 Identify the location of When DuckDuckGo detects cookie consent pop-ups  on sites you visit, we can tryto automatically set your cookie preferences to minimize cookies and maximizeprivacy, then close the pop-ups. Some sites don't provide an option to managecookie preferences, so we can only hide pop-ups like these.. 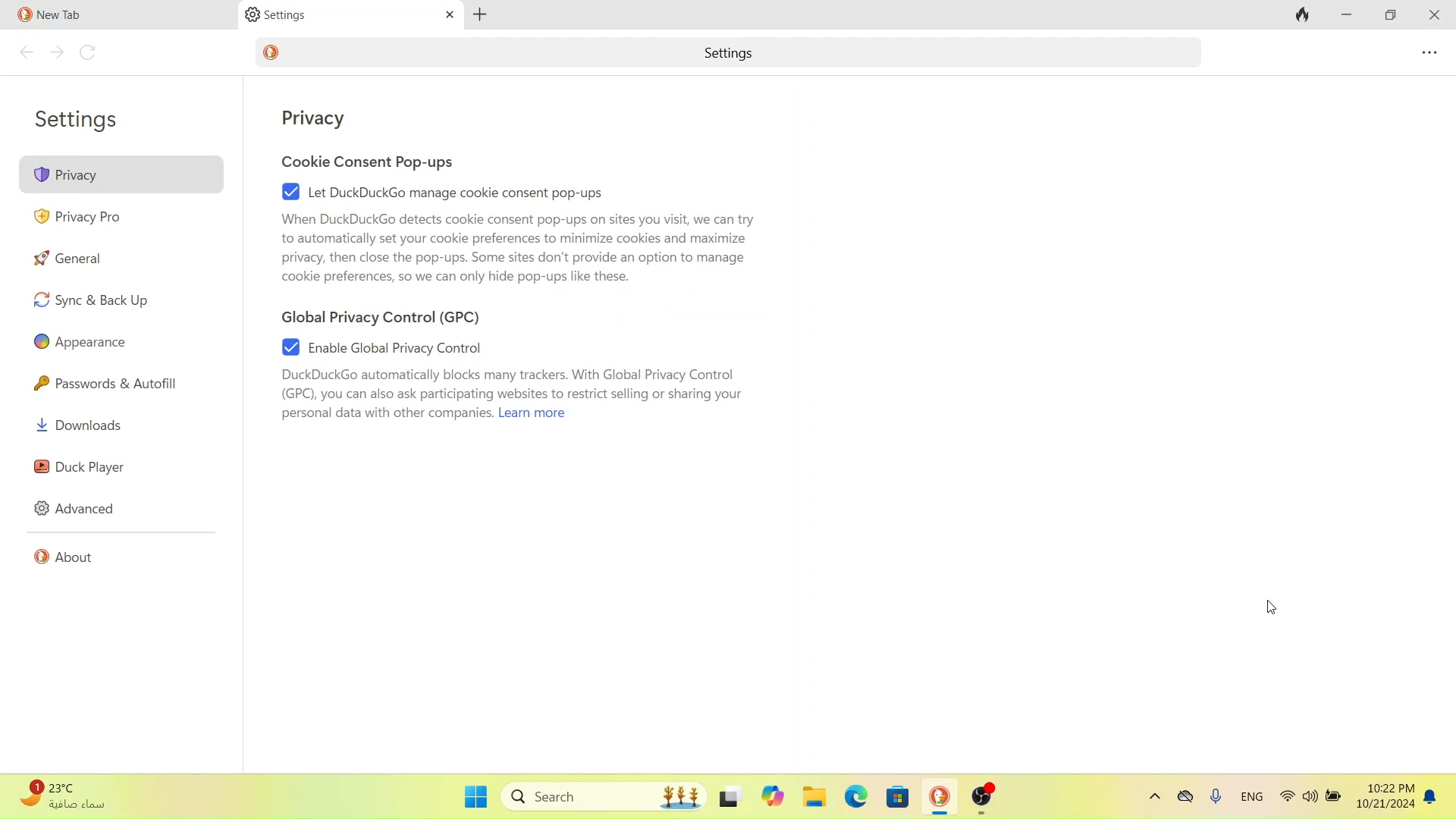
(517, 246).